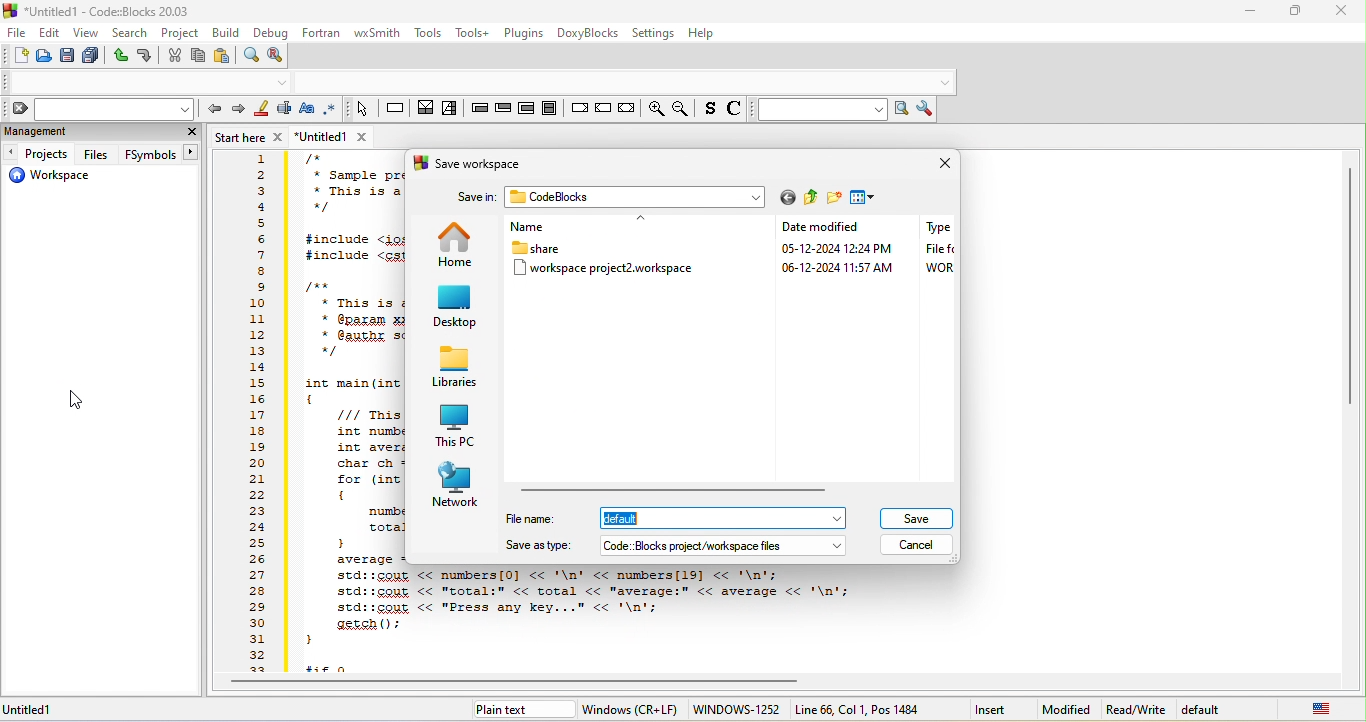 This screenshot has width=1366, height=722. I want to click on maximize, so click(1298, 9).